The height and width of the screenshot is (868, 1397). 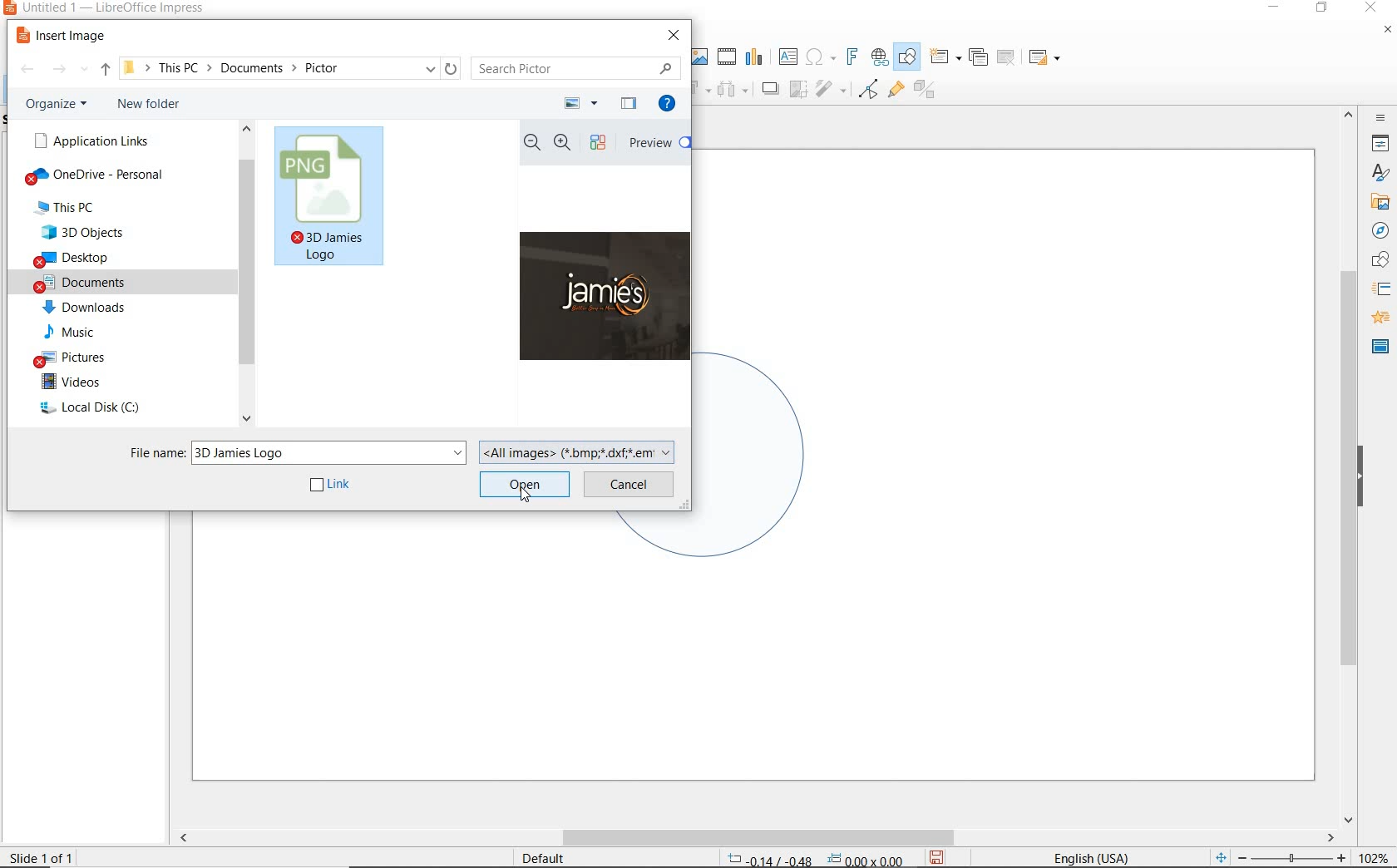 What do you see at coordinates (106, 72) in the screenshot?
I see `up` at bounding box center [106, 72].